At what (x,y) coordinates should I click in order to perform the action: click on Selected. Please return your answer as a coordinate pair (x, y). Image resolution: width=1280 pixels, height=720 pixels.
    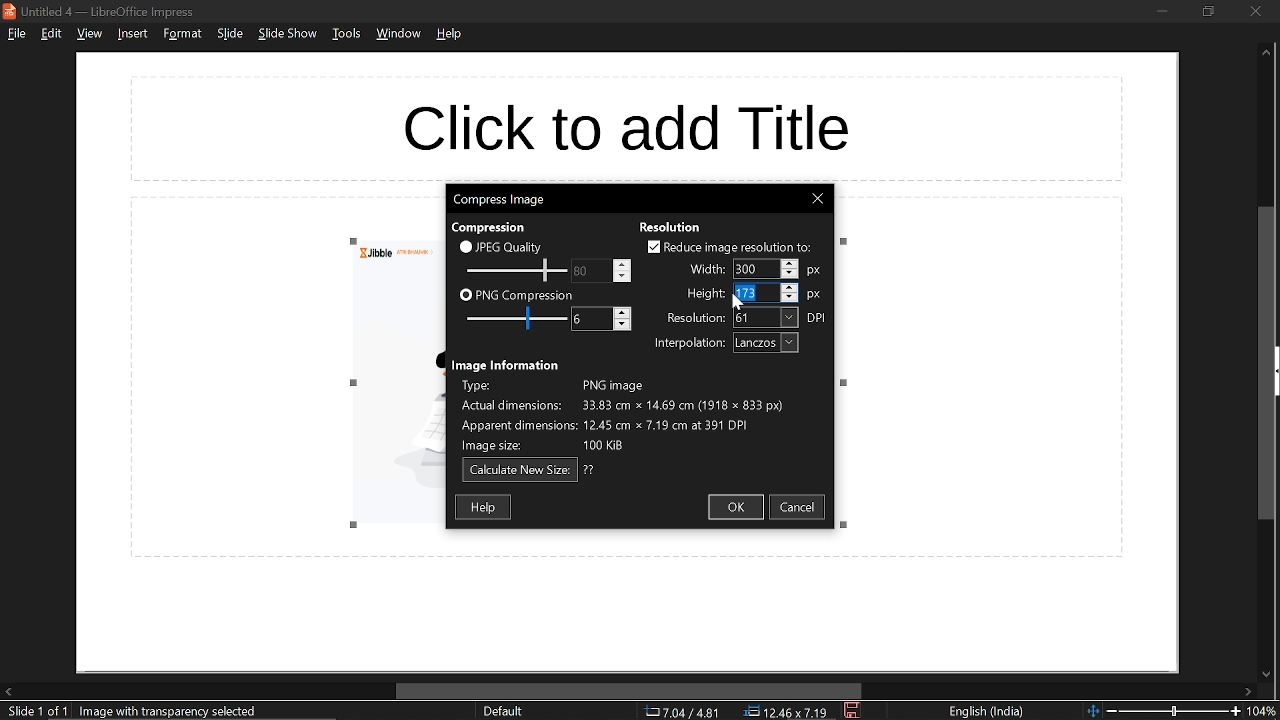
    Looking at the image, I should click on (750, 294).